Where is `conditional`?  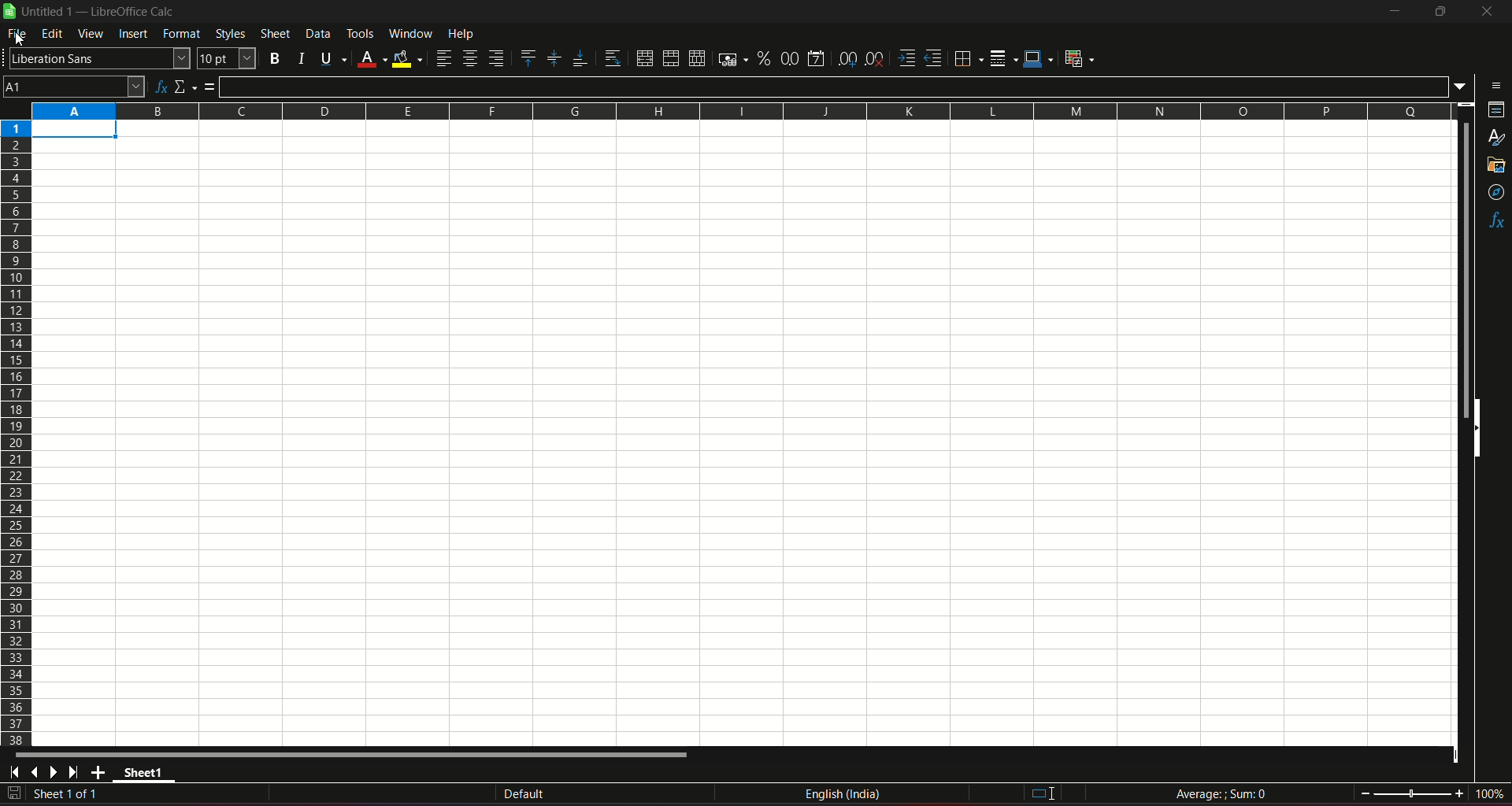
conditional is located at coordinates (1084, 59).